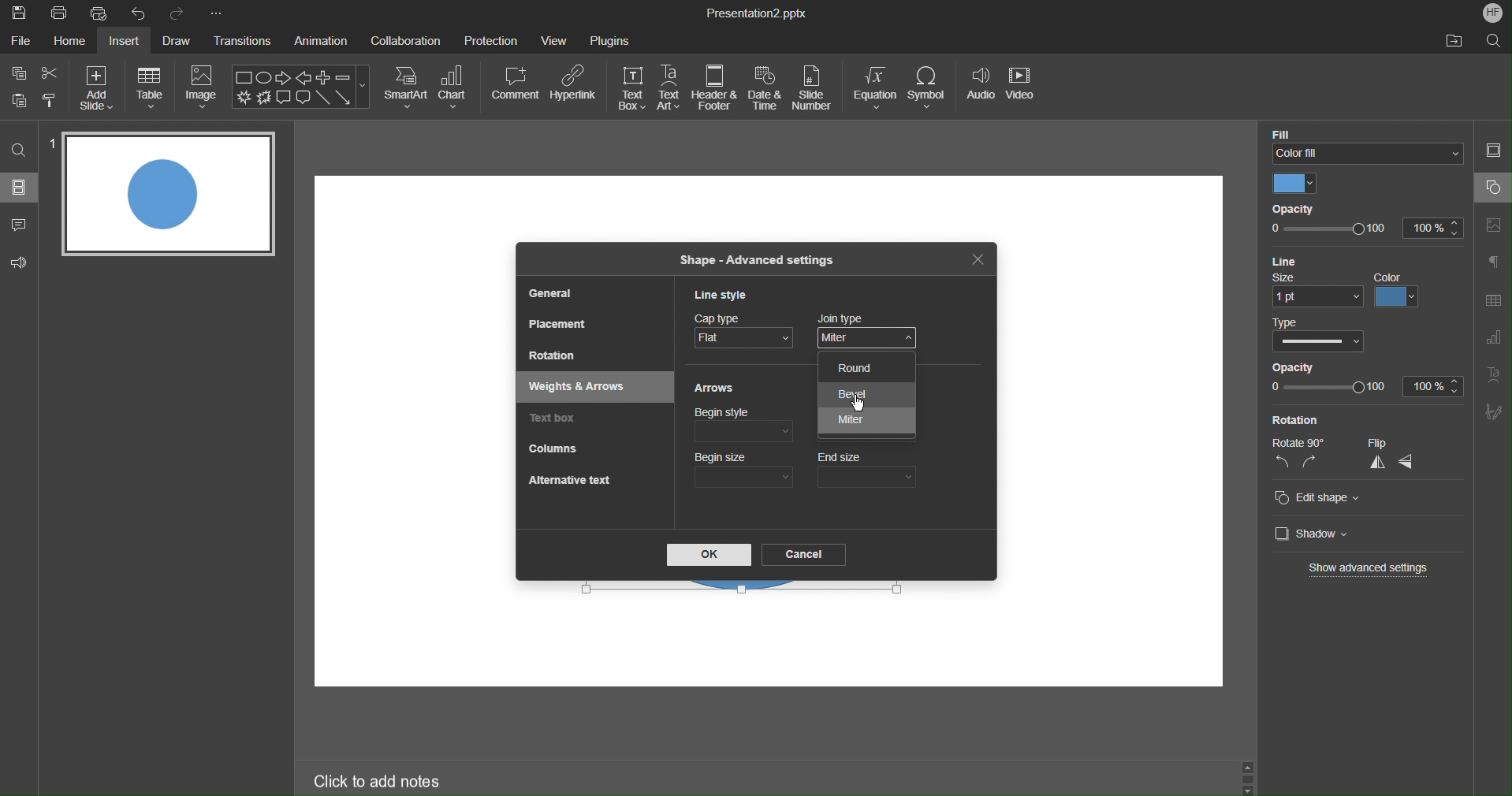 This screenshot has width=1512, height=796. Describe the element at coordinates (1434, 385) in the screenshot. I see `100%` at that location.